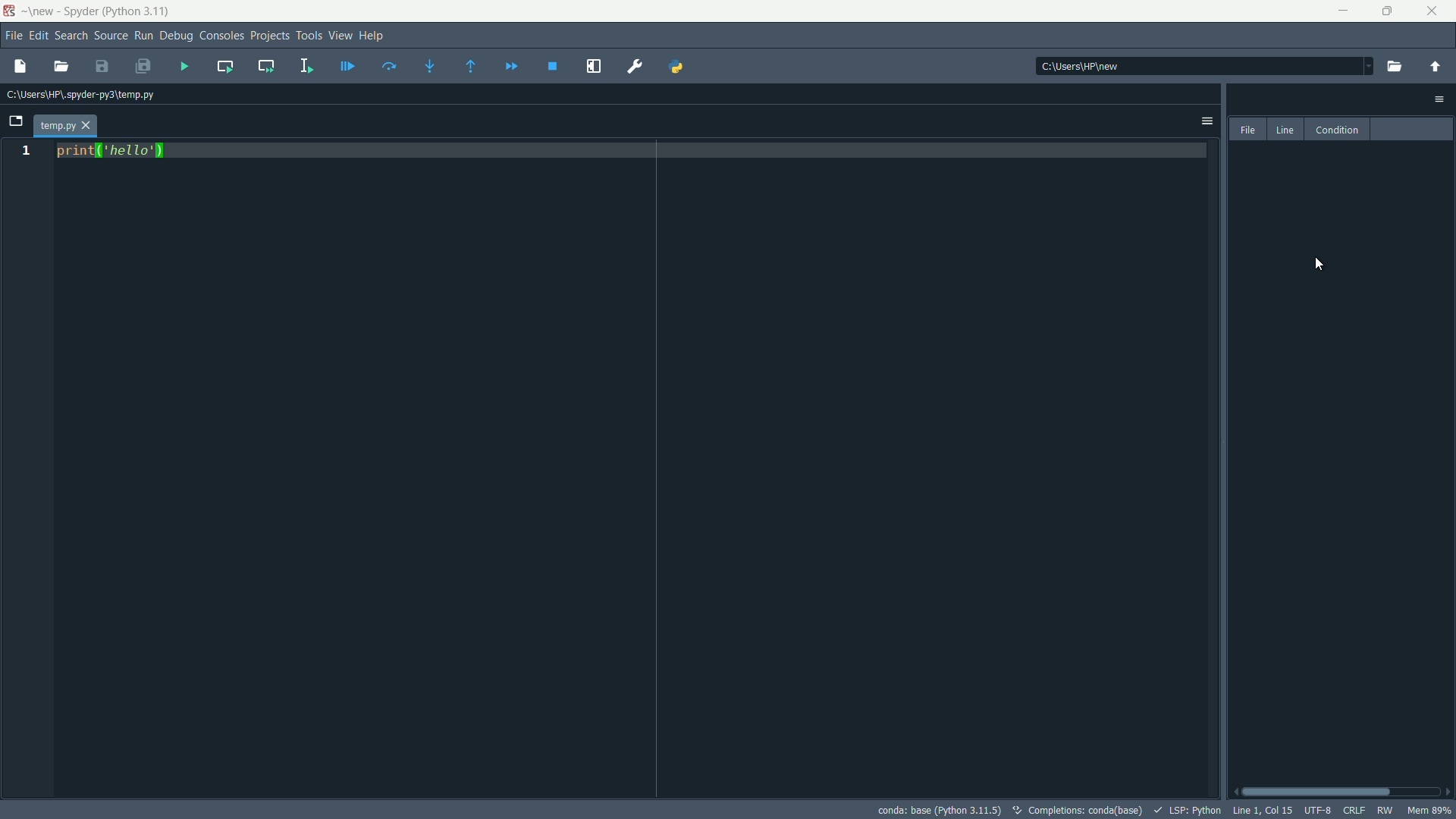 The image size is (1456, 819). I want to click on run current line, so click(389, 66).